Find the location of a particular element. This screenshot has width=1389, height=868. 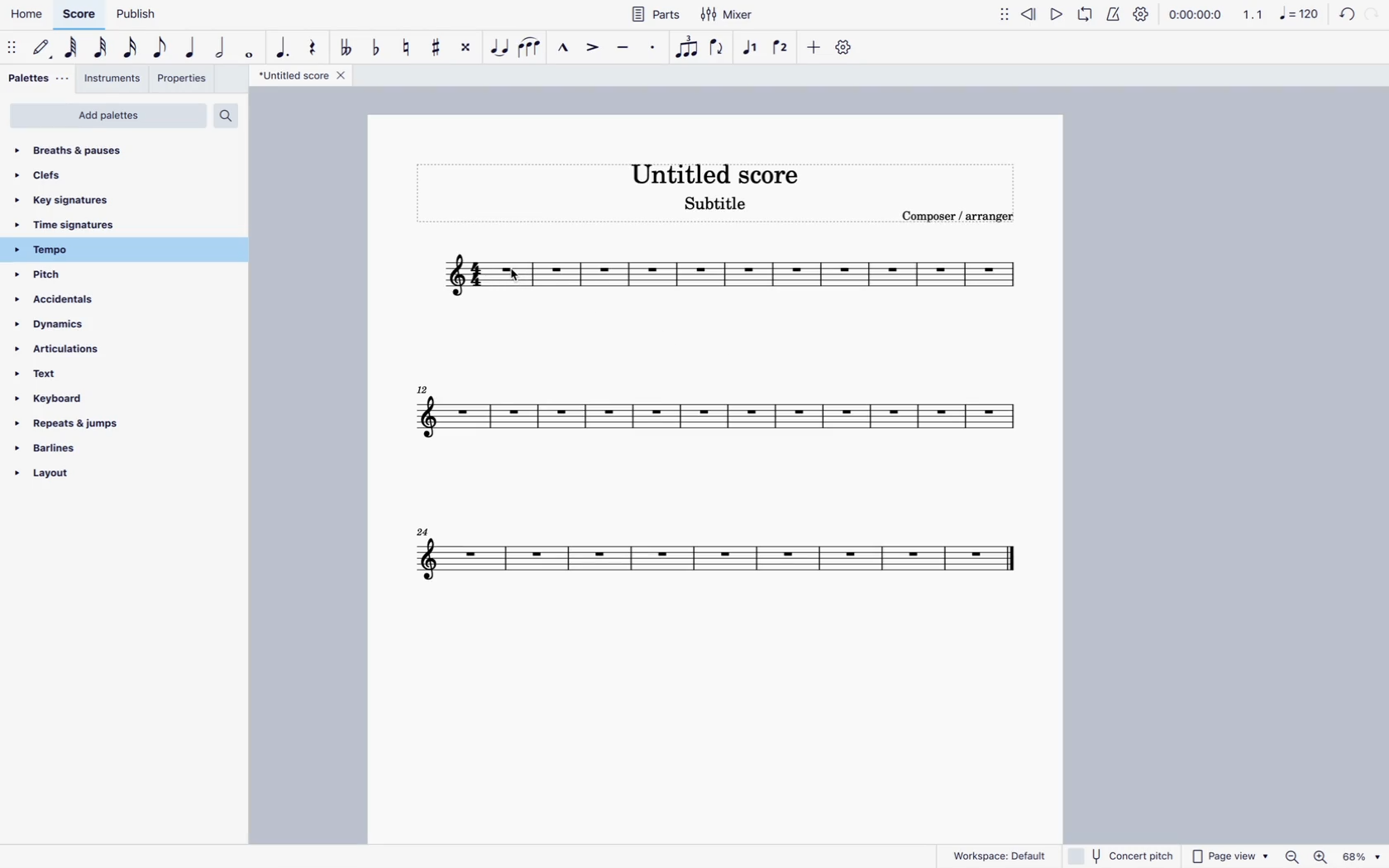

tuplet is located at coordinates (685, 47).